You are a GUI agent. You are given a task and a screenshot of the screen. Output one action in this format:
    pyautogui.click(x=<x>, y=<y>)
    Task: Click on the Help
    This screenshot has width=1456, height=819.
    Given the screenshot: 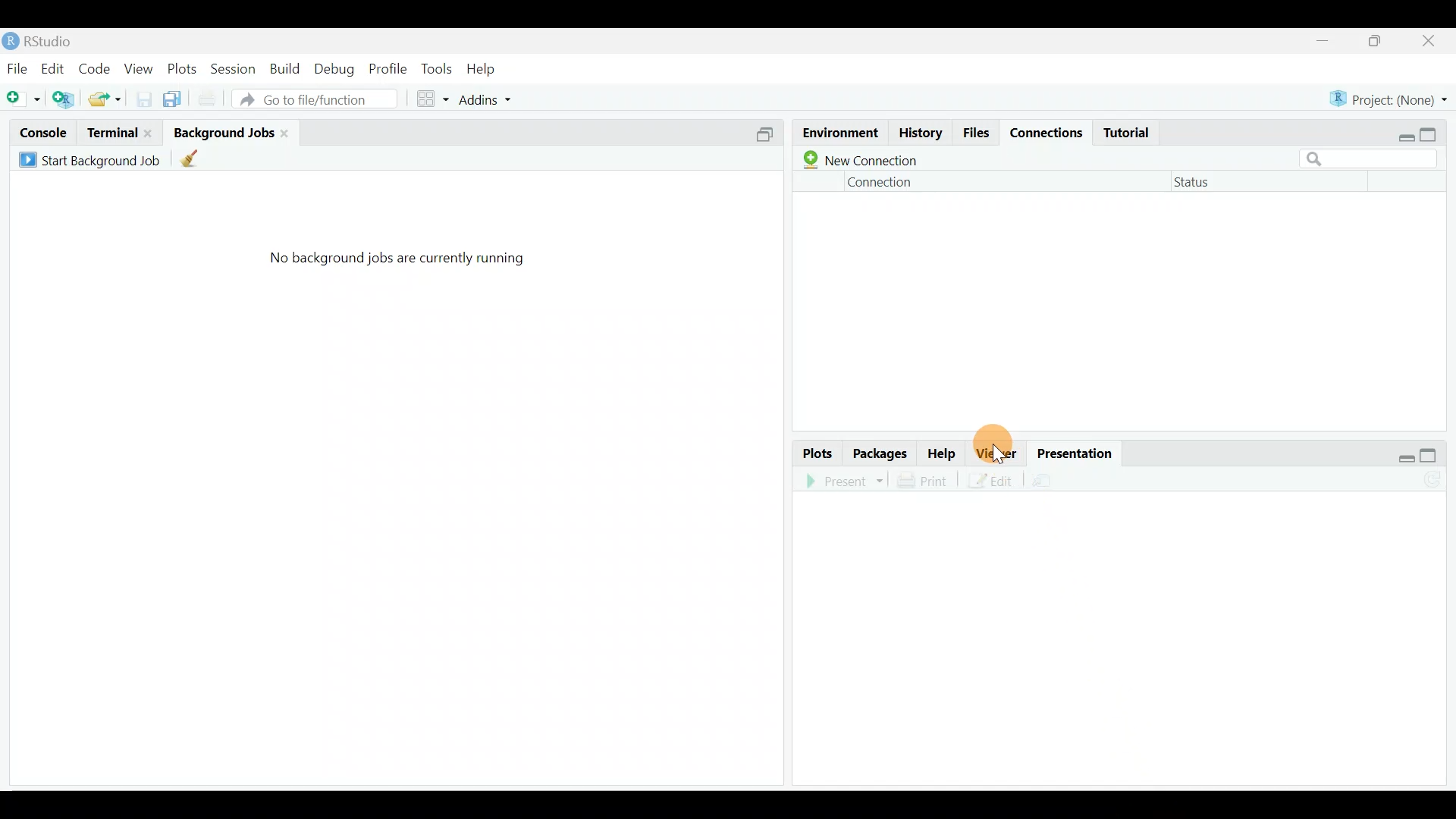 What is the action you would take?
    pyautogui.click(x=488, y=67)
    